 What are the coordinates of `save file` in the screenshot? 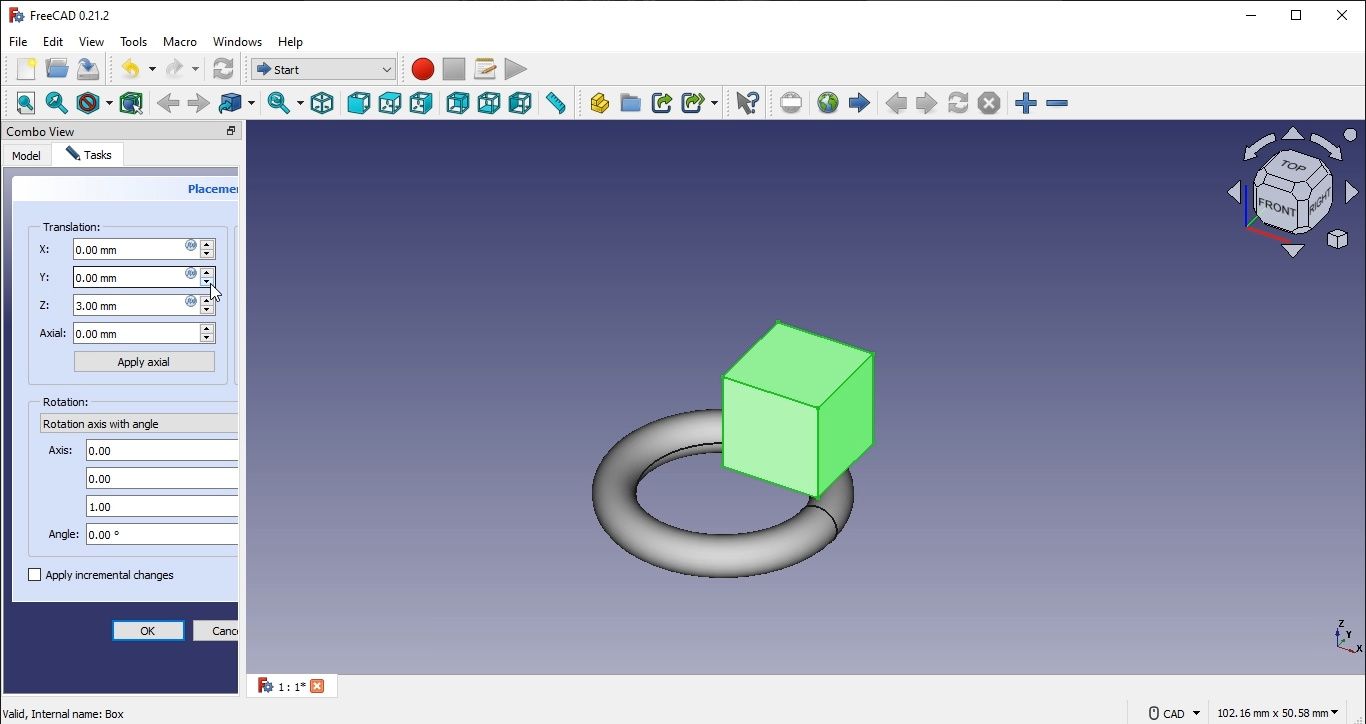 It's located at (89, 69).